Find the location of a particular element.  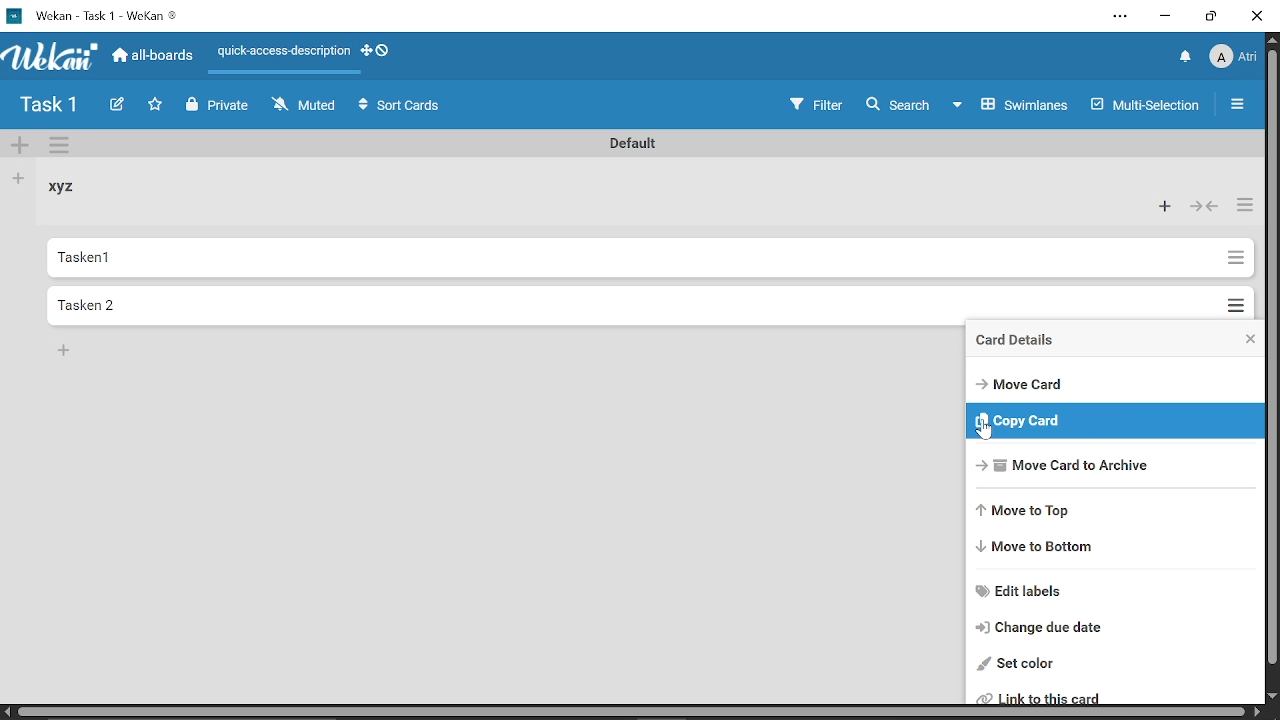

Scroller is located at coordinates (1272, 376).